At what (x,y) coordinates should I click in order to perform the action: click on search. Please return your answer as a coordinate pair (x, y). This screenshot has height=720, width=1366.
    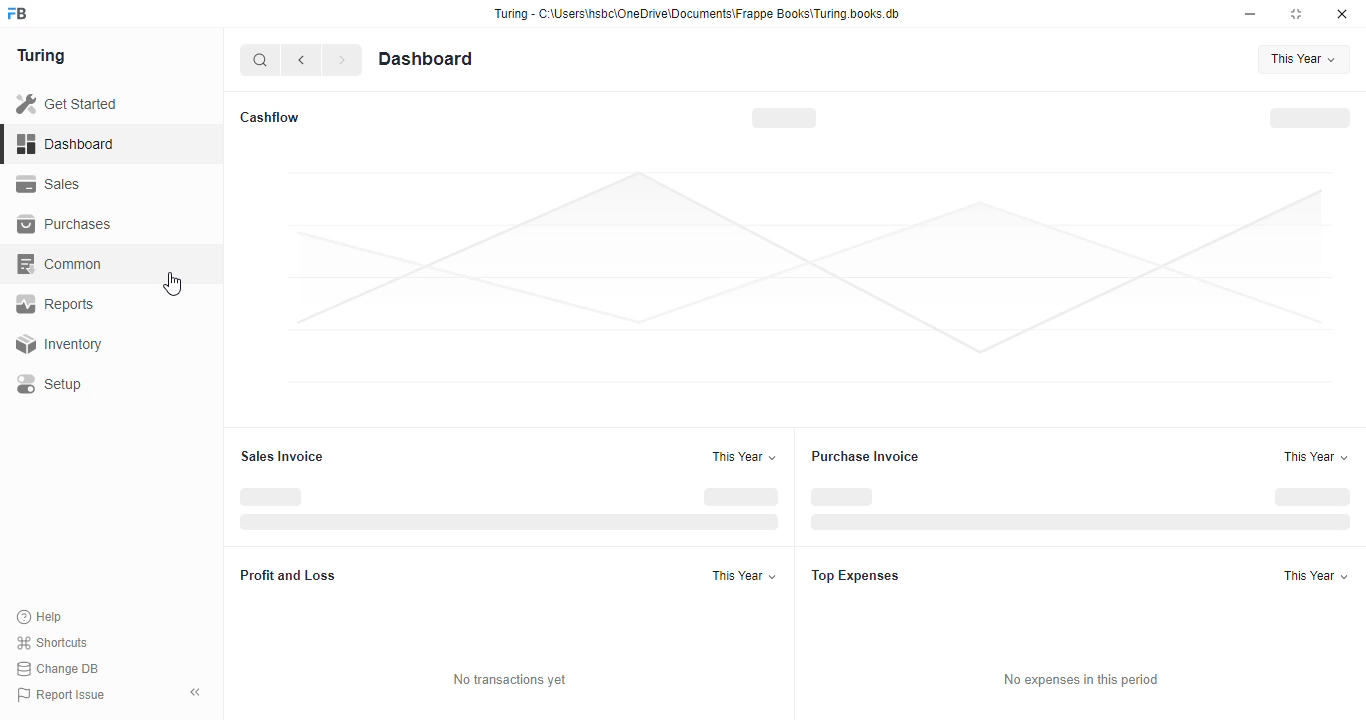
    Looking at the image, I should click on (261, 60).